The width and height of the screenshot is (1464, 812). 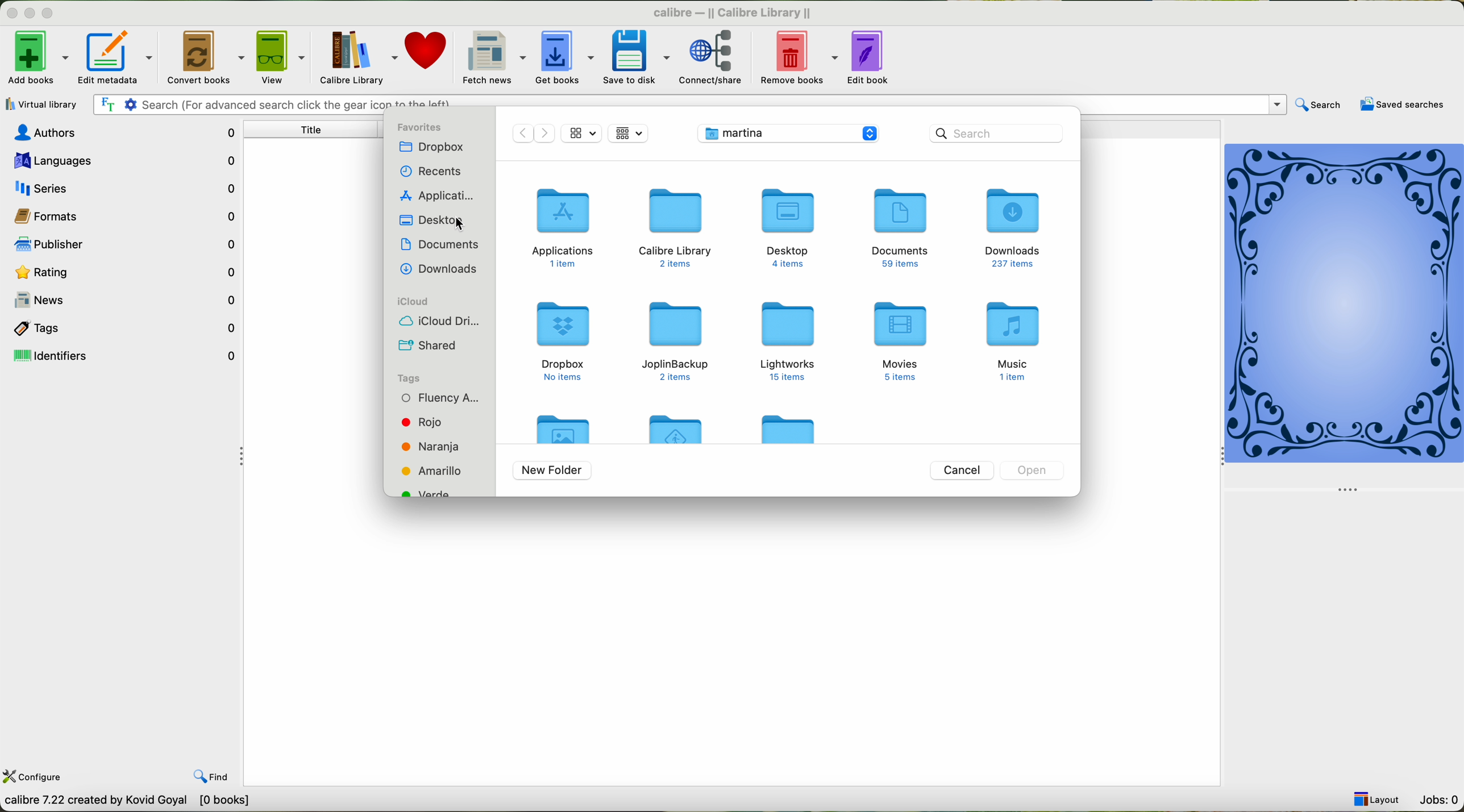 I want to click on search bar, so click(x=689, y=105).